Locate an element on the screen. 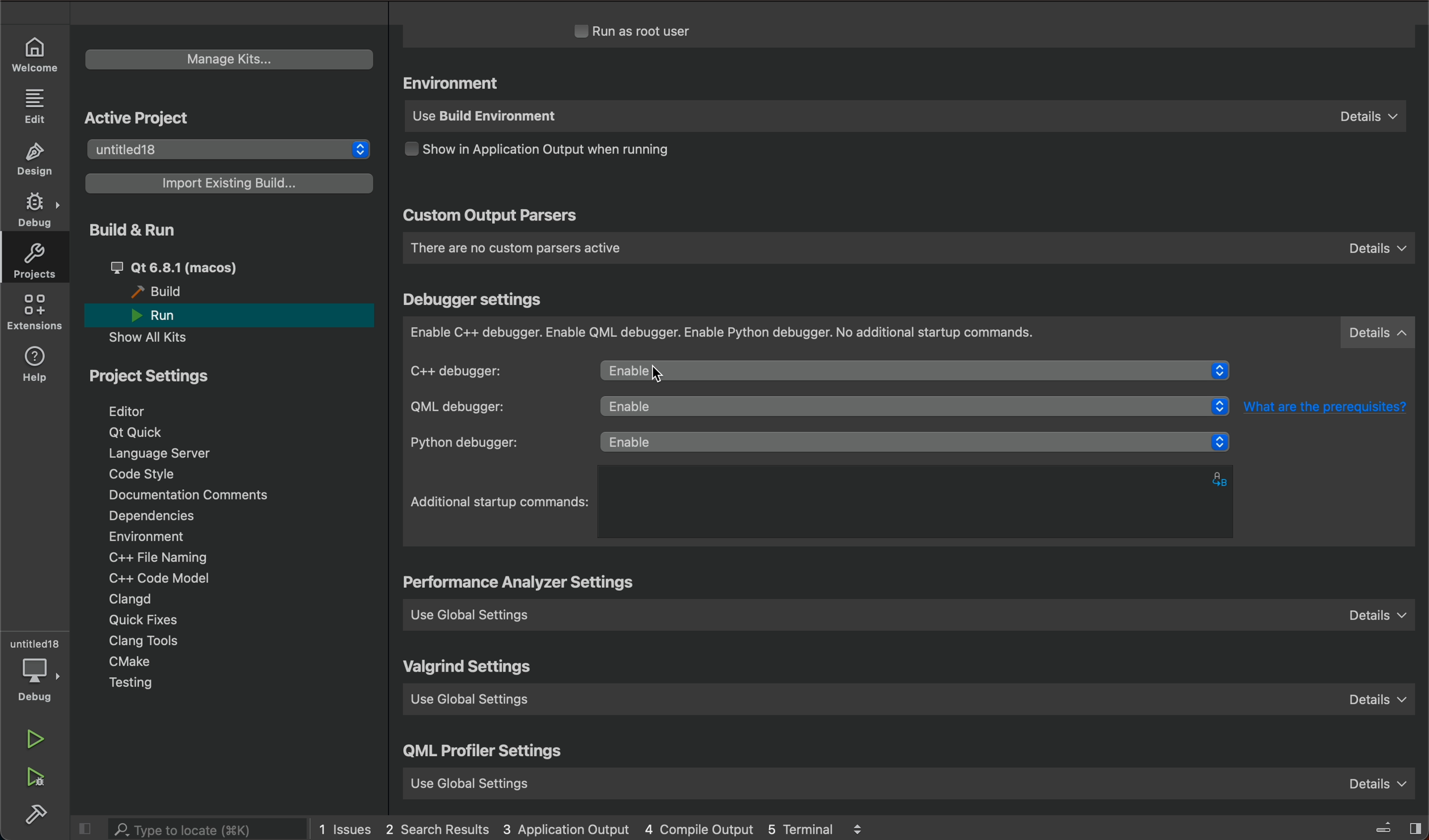 The image size is (1429, 840). testing is located at coordinates (133, 683).